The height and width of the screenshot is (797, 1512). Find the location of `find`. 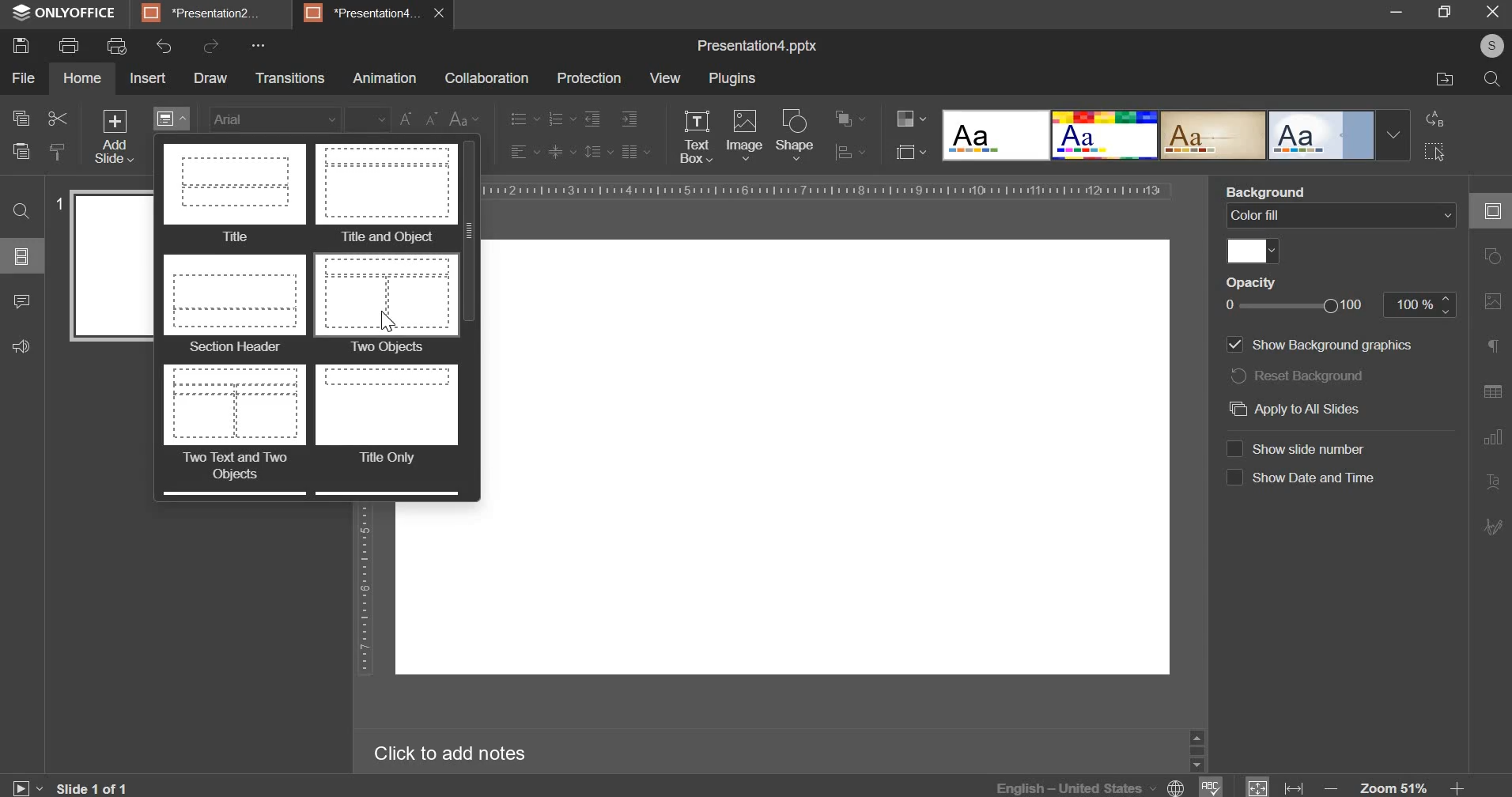

find is located at coordinates (22, 210).